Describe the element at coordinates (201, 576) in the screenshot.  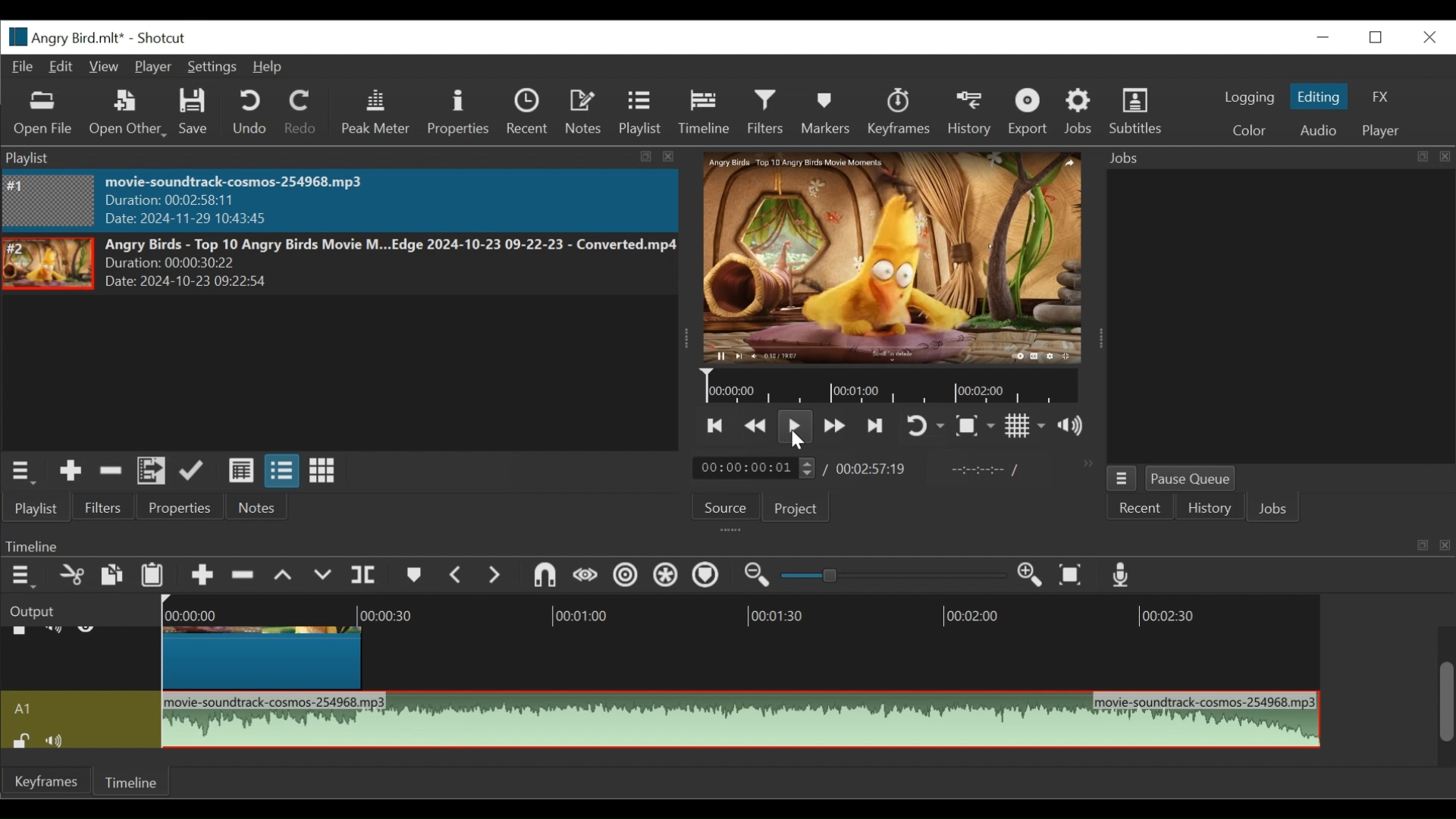
I see `Append` at that location.